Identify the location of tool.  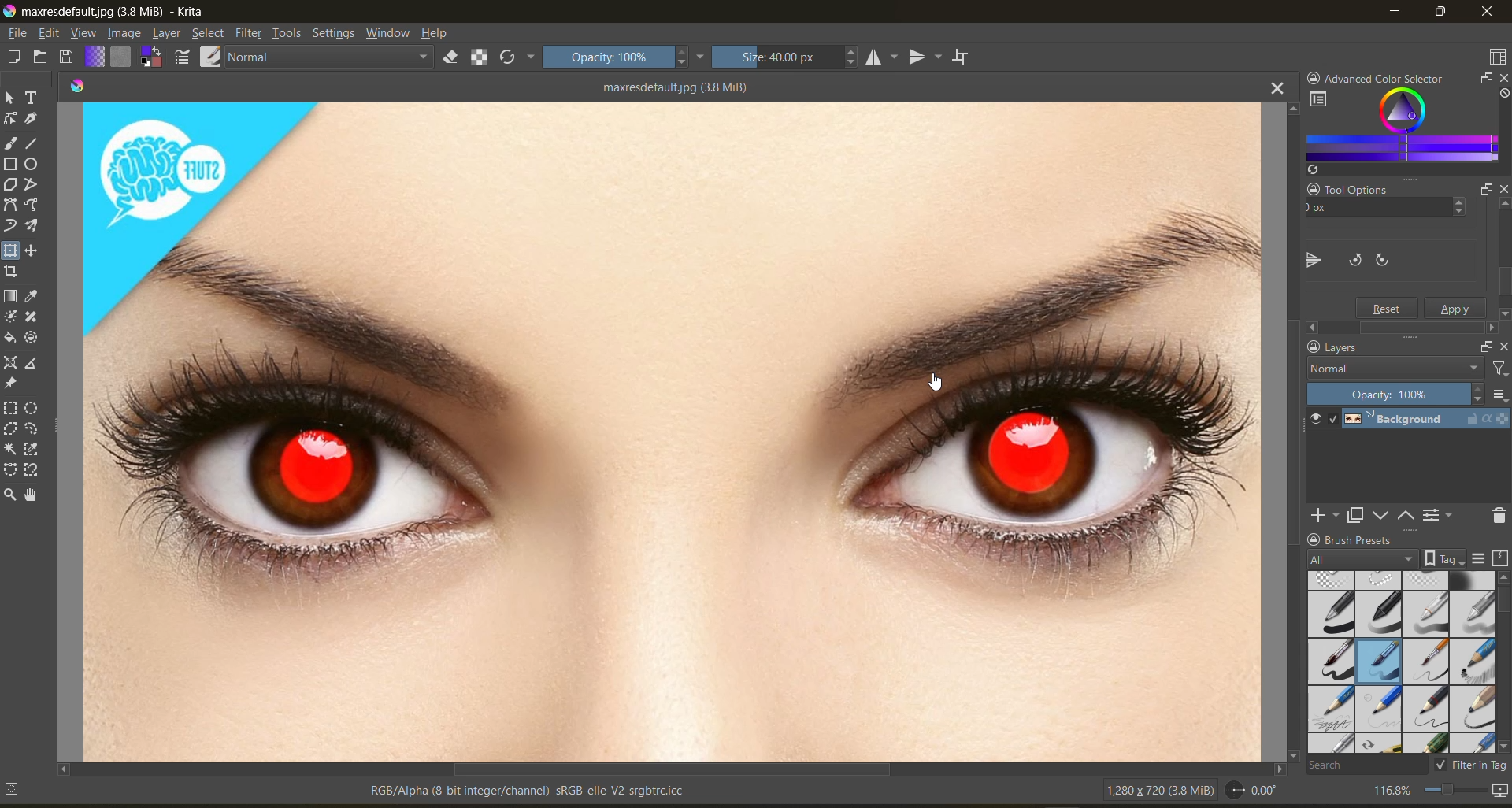
(13, 271).